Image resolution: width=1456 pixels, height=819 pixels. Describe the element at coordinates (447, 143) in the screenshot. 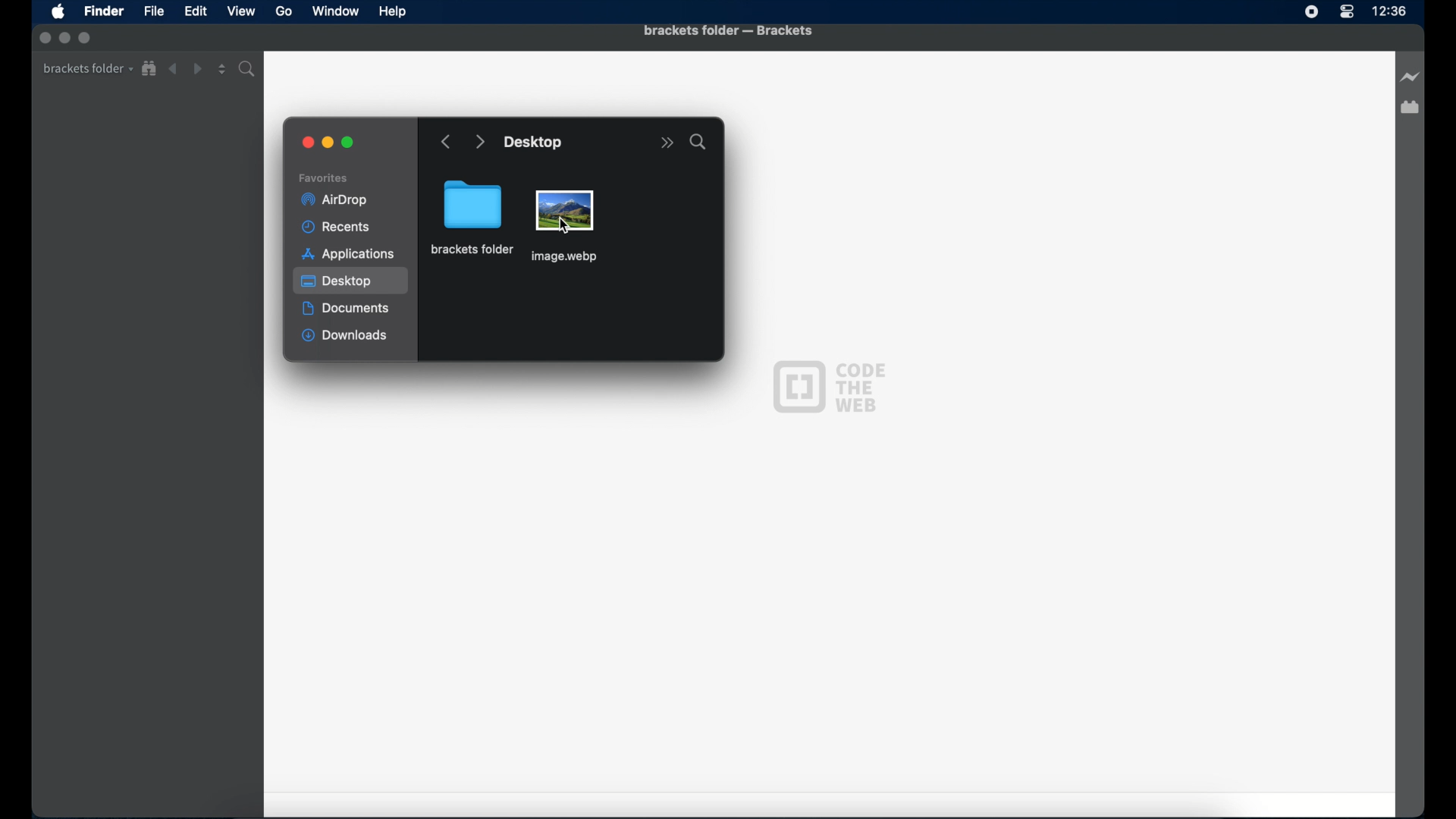

I see `go backward` at that location.